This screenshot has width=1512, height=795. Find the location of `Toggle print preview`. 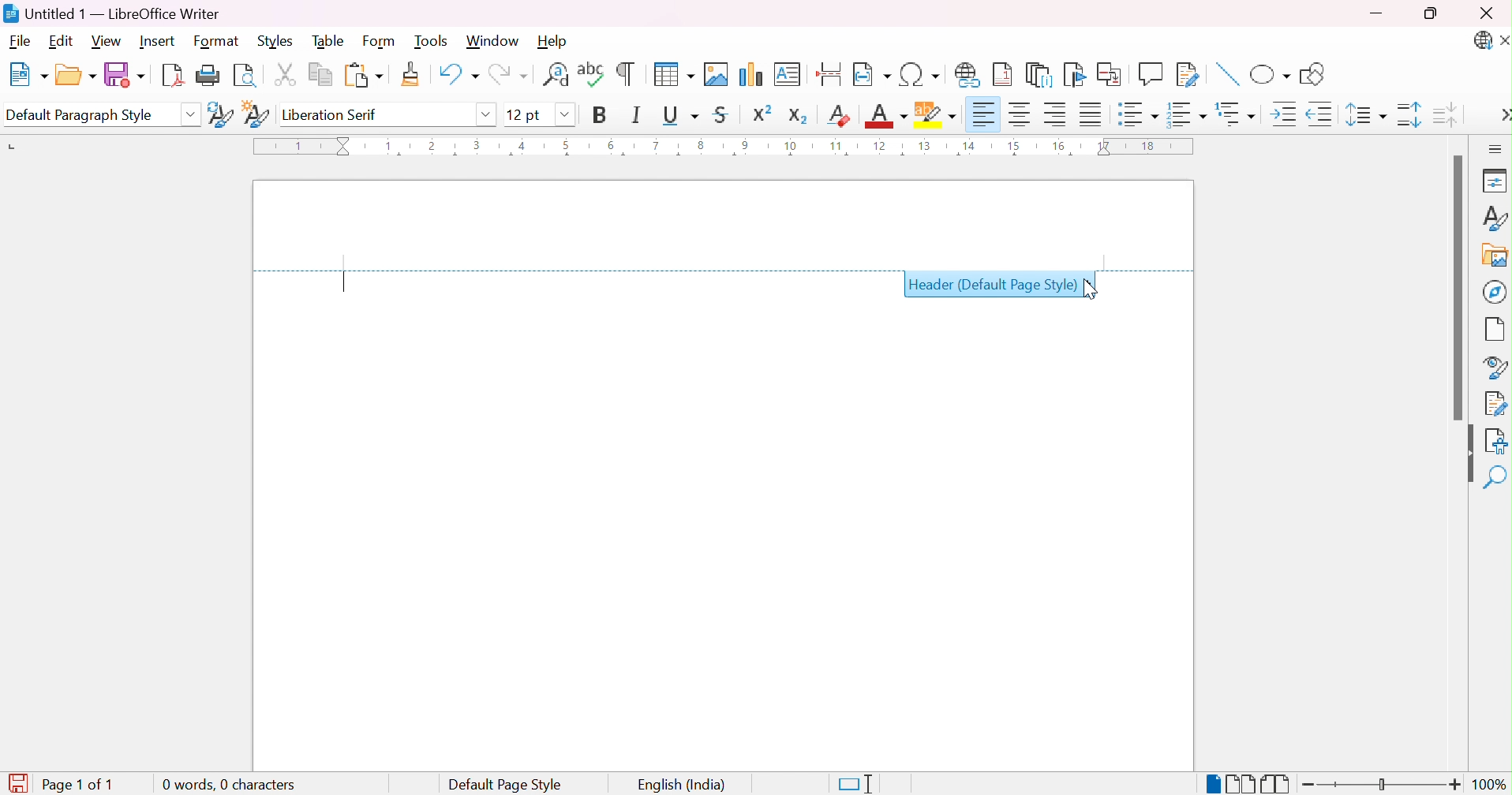

Toggle print preview is located at coordinates (245, 78).